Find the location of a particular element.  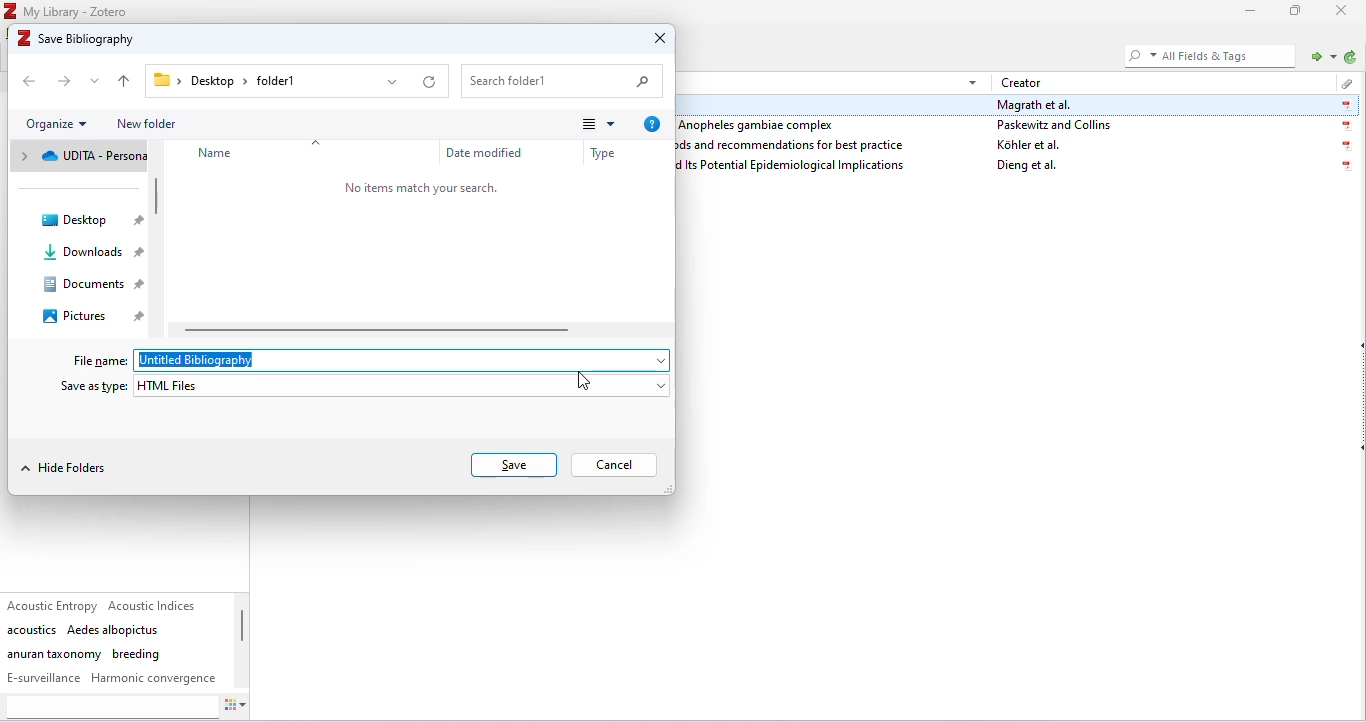

horizontal scroll bar is located at coordinates (383, 329).